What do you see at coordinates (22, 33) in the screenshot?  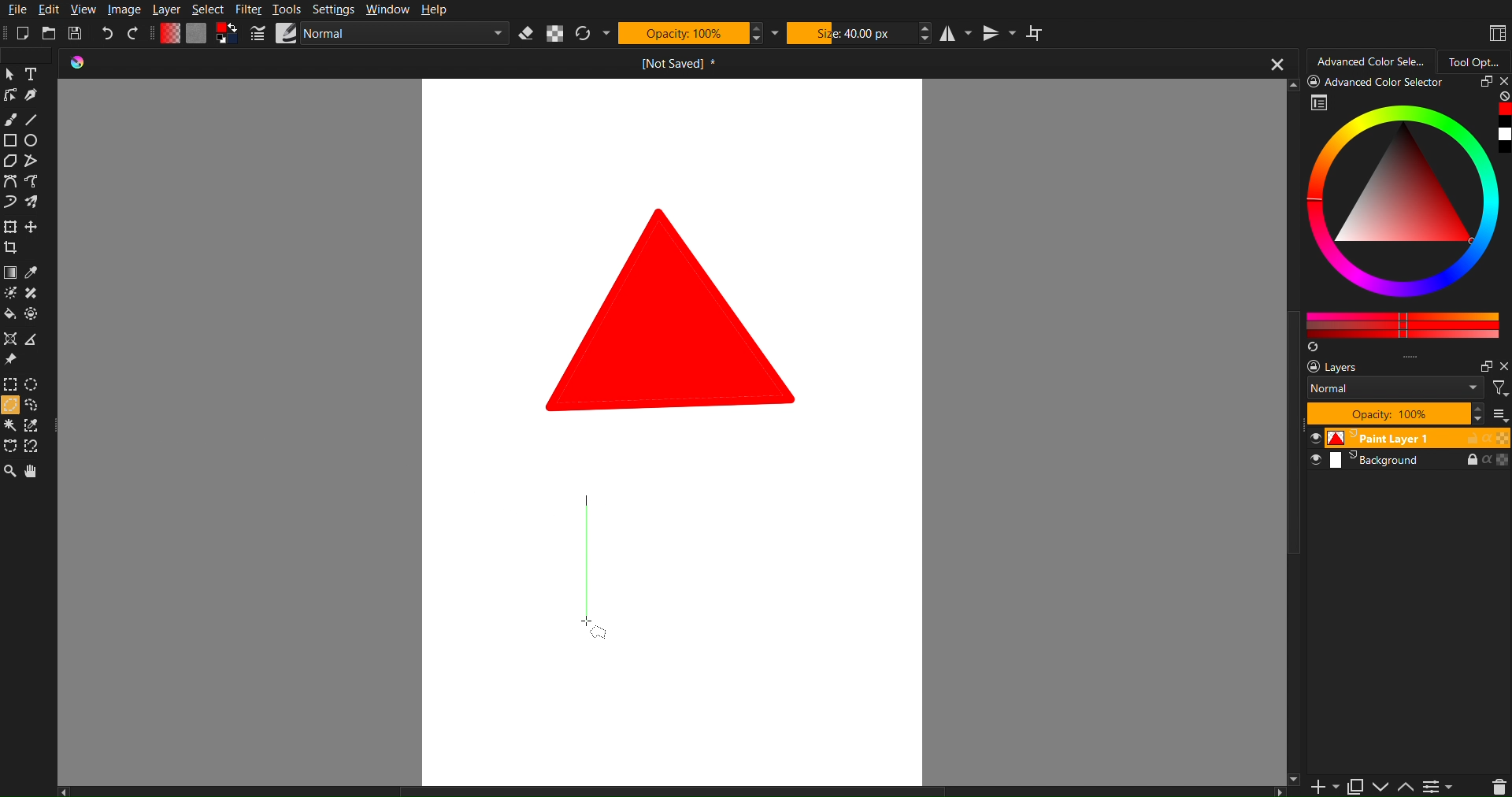 I see `New` at bounding box center [22, 33].